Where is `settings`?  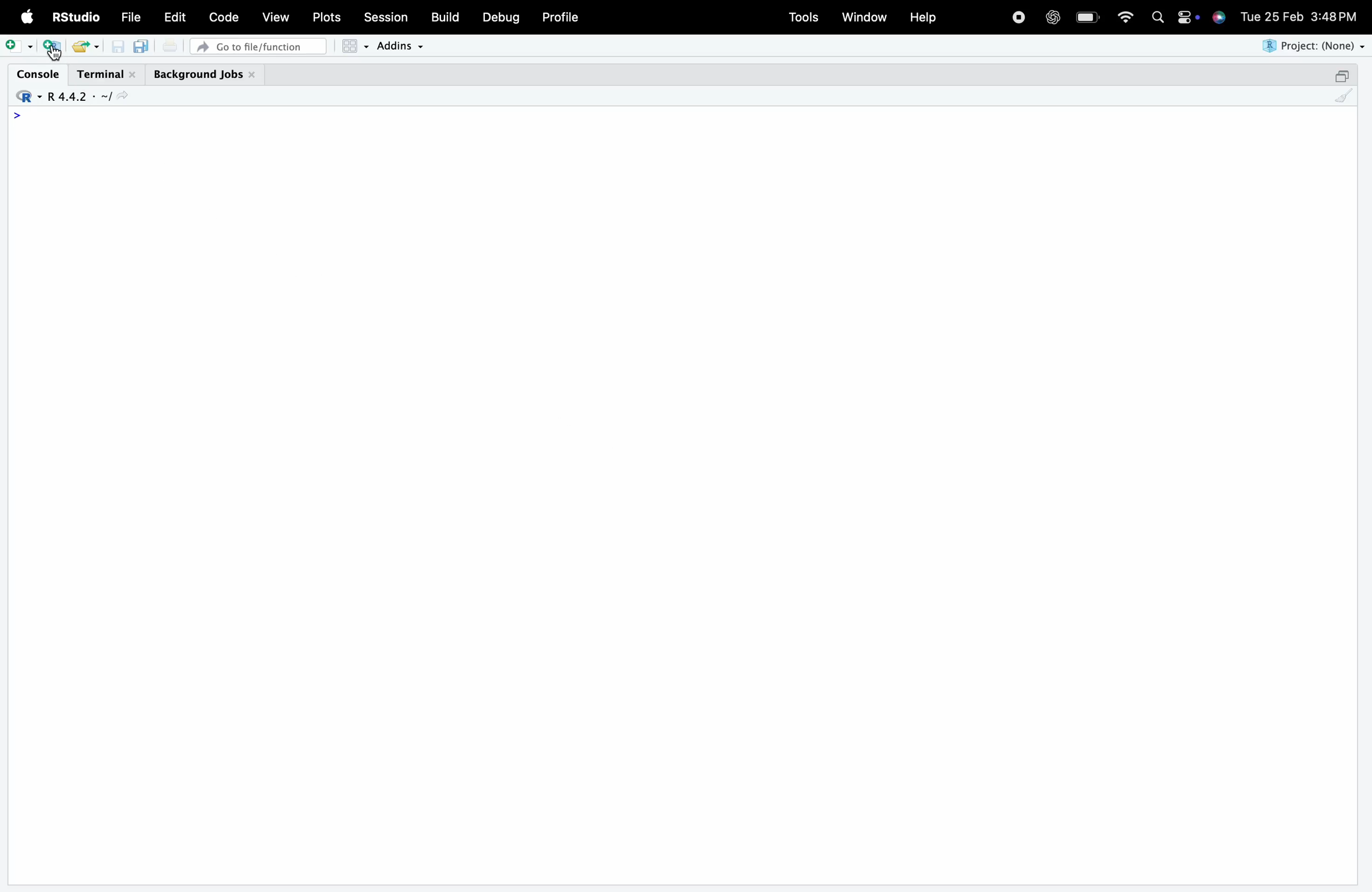
settings is located at coordinates (1187, 17).